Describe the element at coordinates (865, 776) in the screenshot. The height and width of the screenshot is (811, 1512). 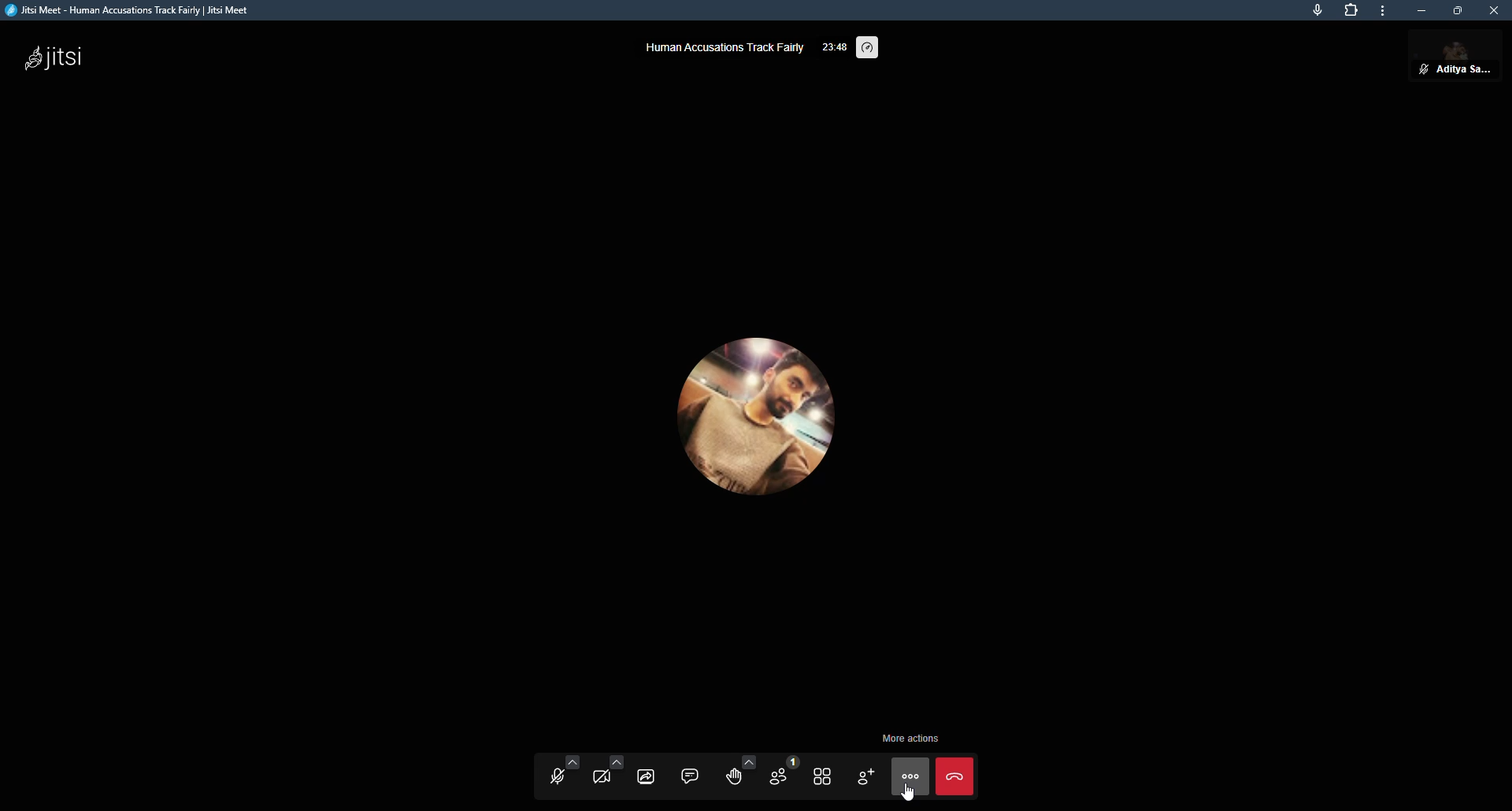
I see `invite people` at that location.